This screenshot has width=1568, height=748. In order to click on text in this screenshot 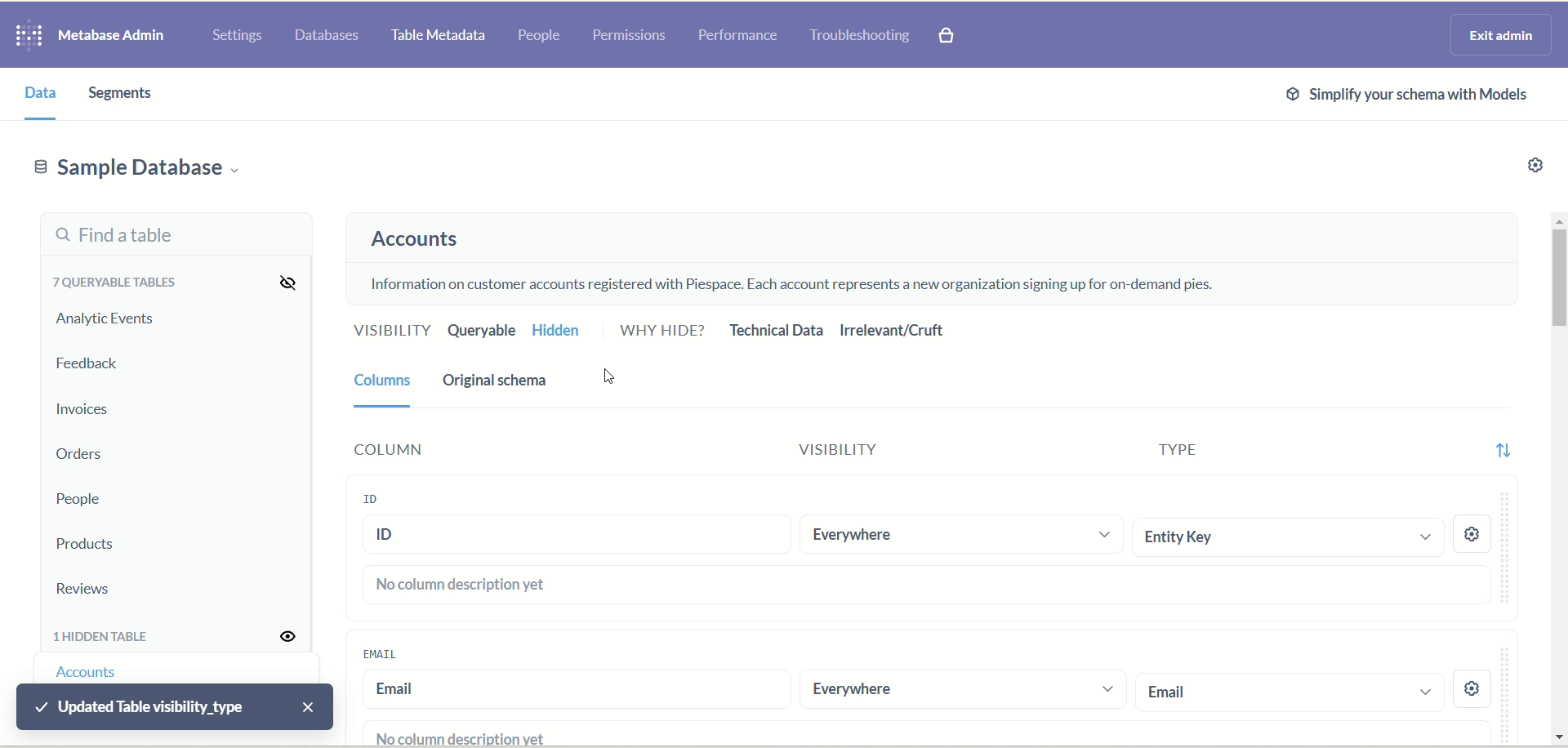, I will do `click(790, 280)`.